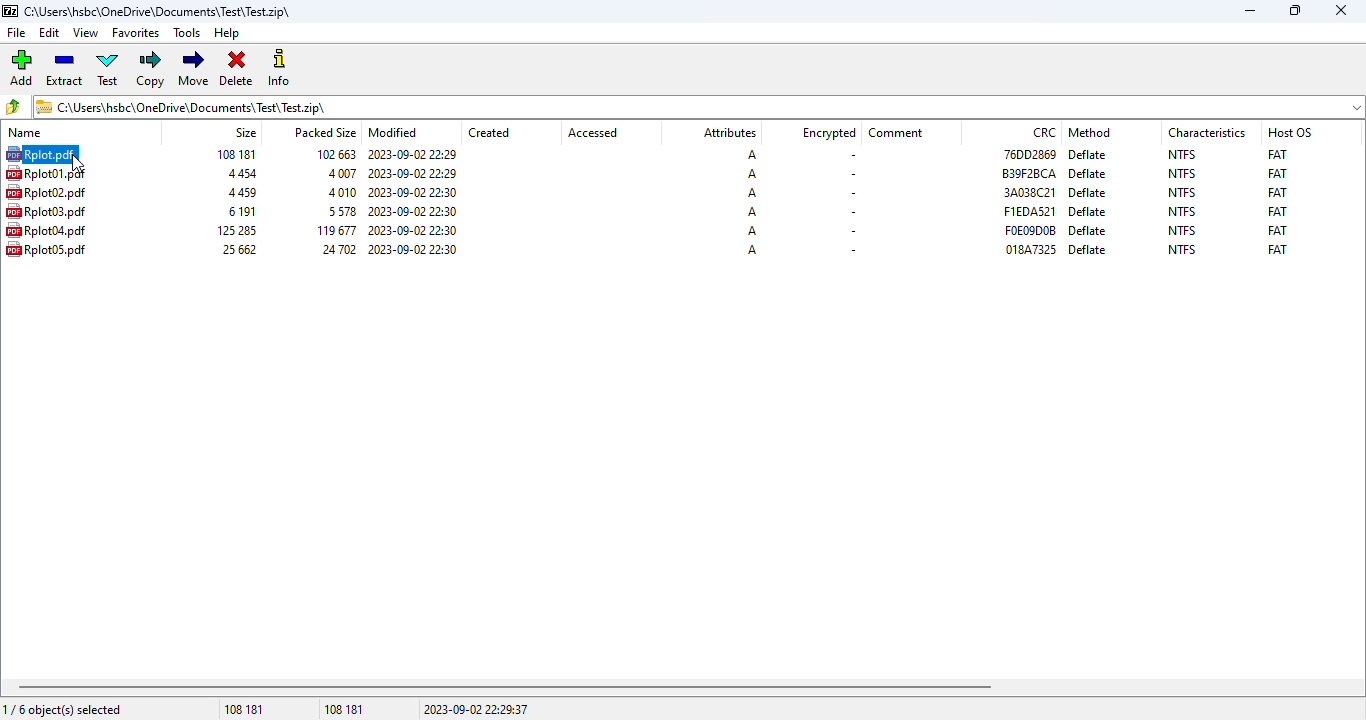 This screenshot has height=720, width=1366. What do you see at coordinates (476, 709) in the screenshot?
I see `2023-09-02 22:29:37` at bounding box center [476, 709].